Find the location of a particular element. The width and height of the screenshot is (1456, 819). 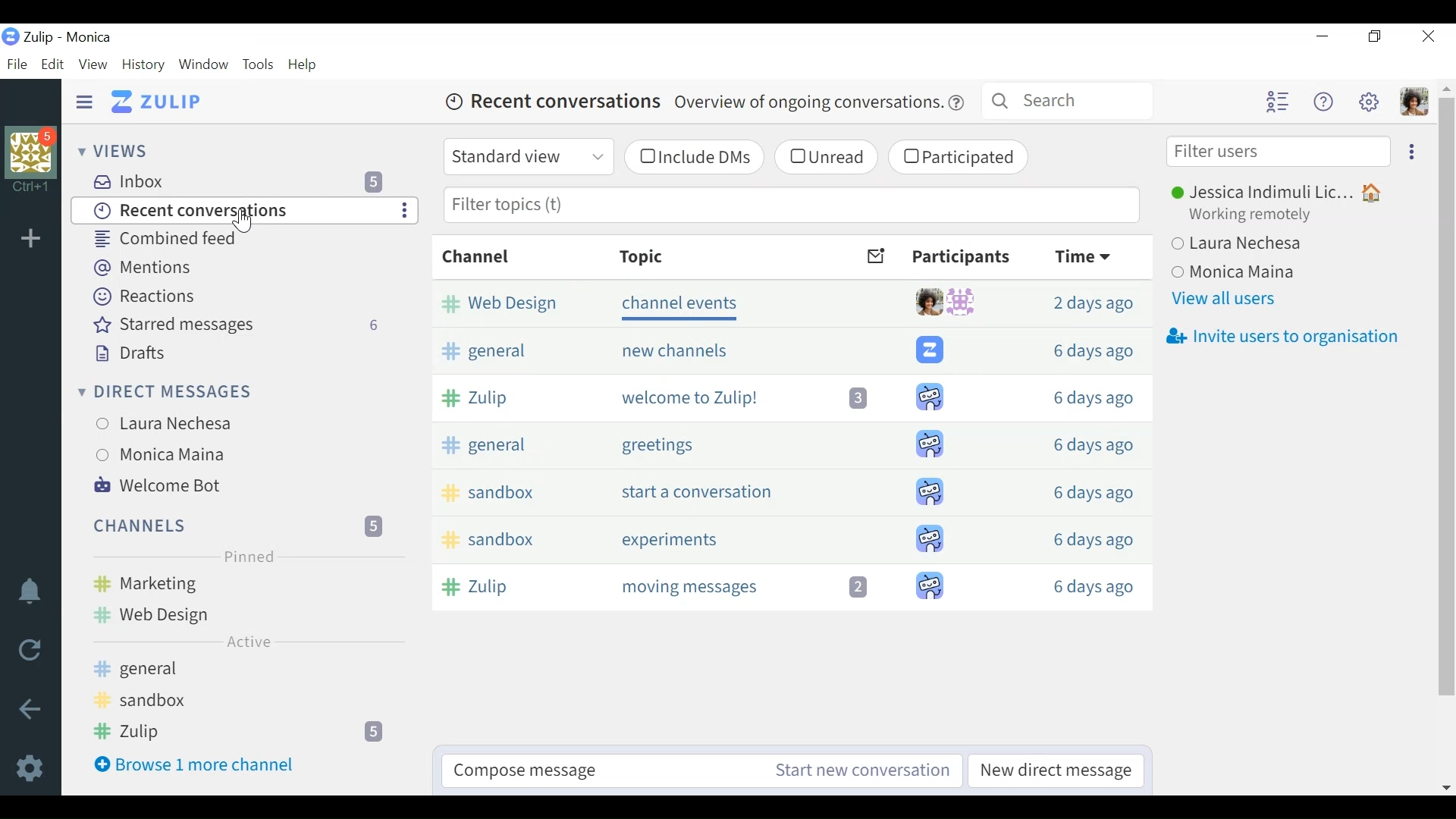

shortcut information is located at coordinates (35, 188).